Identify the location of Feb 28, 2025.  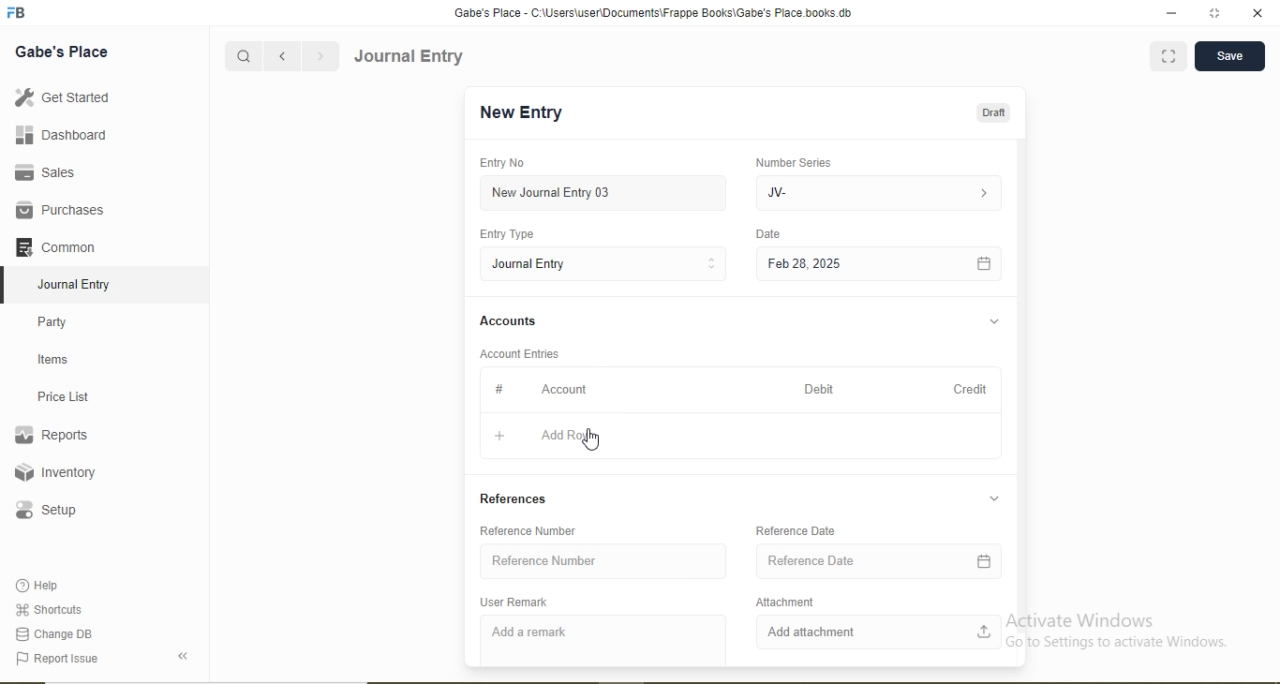
(804, 263).